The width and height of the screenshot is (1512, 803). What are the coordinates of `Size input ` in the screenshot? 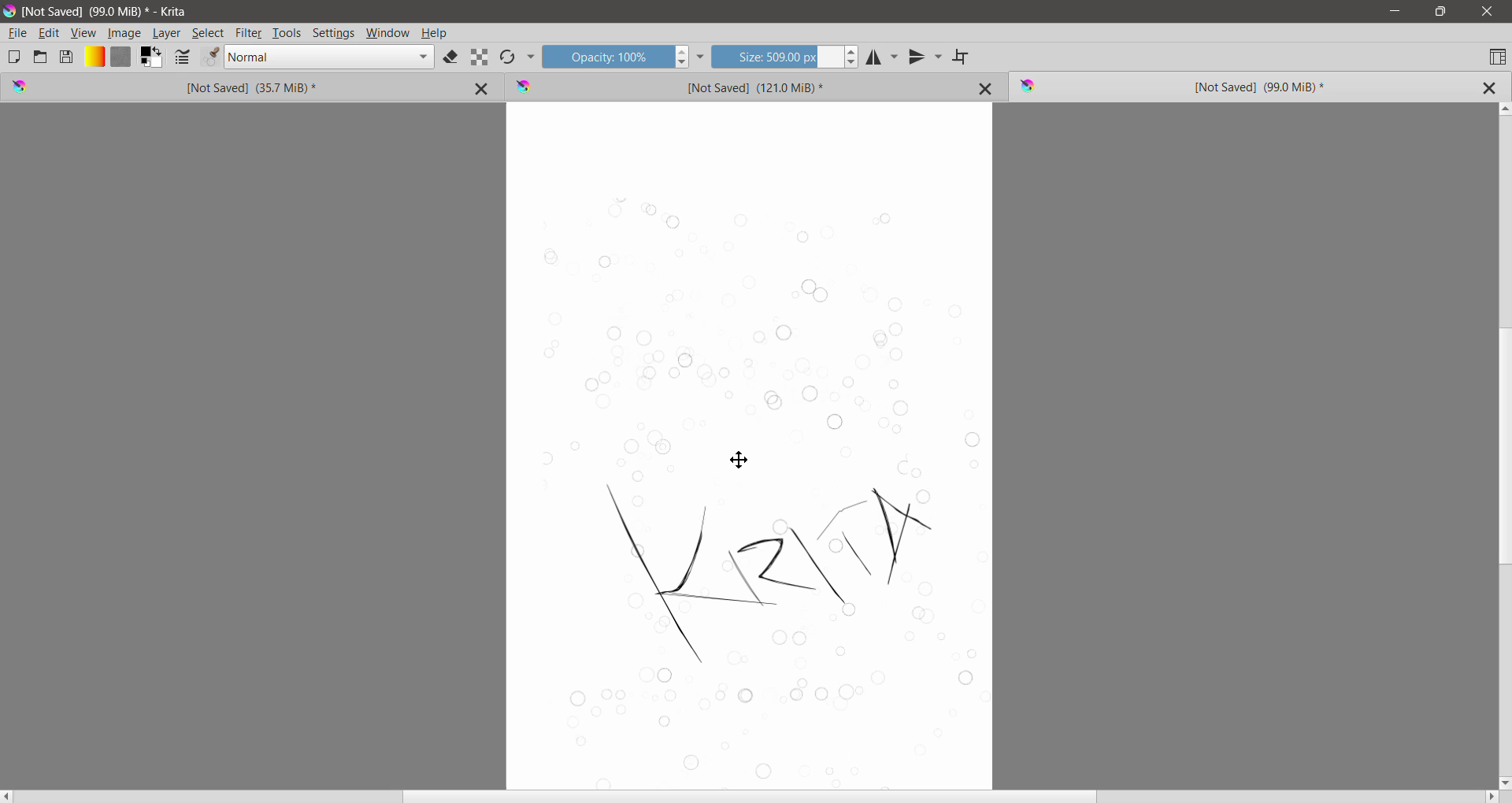 It's located at (776, 56).